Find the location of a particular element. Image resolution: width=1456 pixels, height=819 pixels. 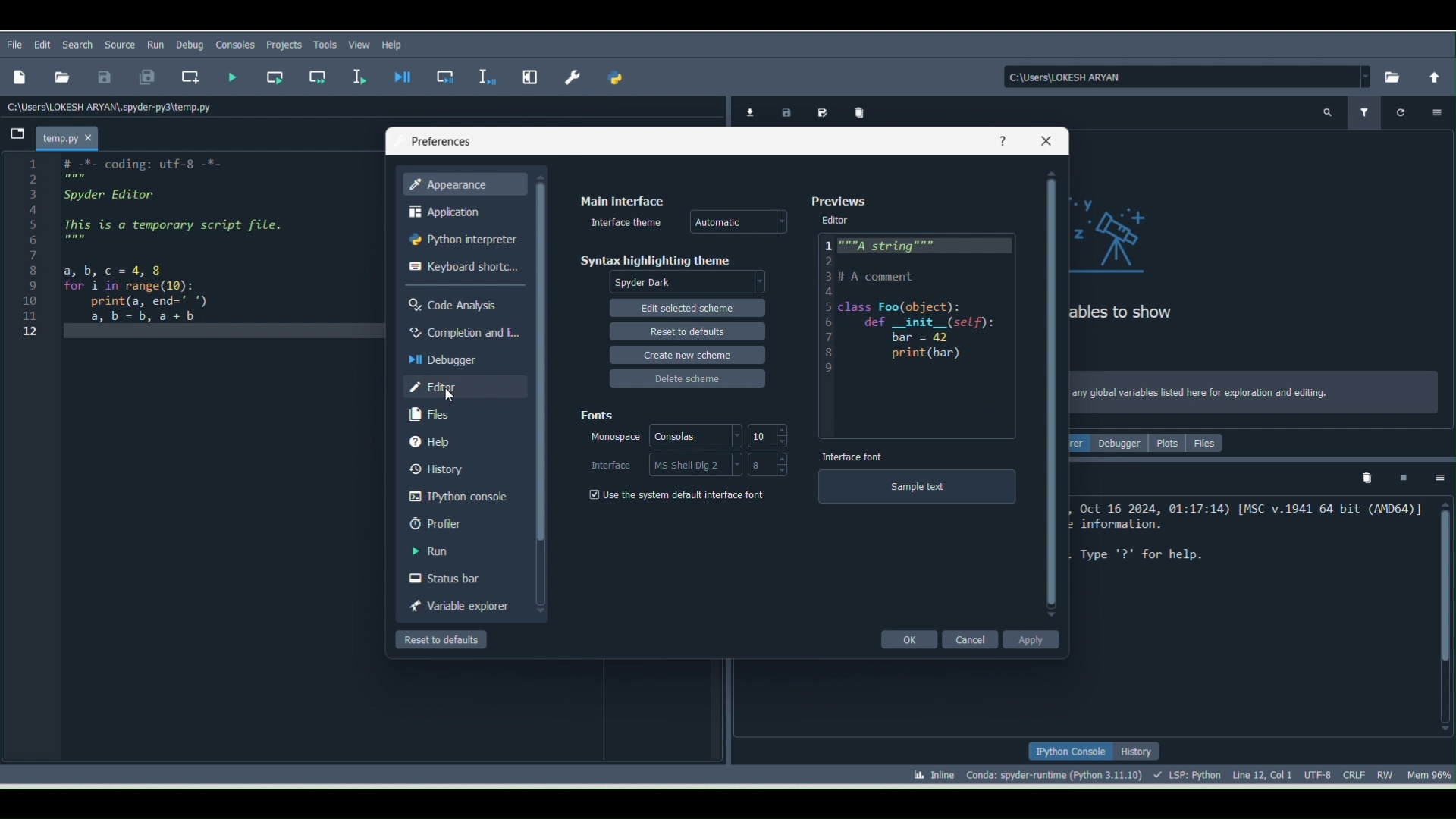

Files is located at coordinates (1207, 441).